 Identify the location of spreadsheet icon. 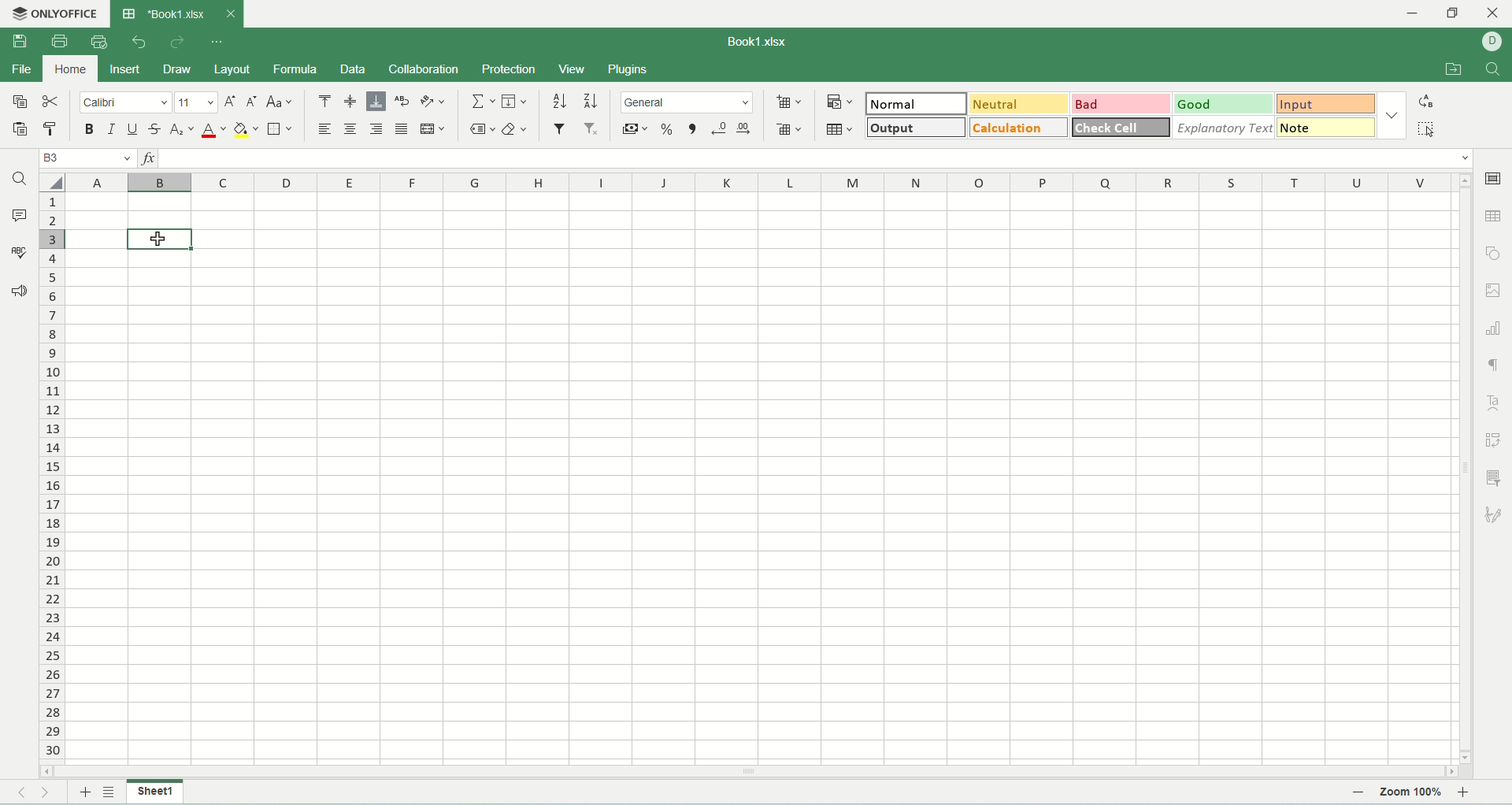
(128, 14).